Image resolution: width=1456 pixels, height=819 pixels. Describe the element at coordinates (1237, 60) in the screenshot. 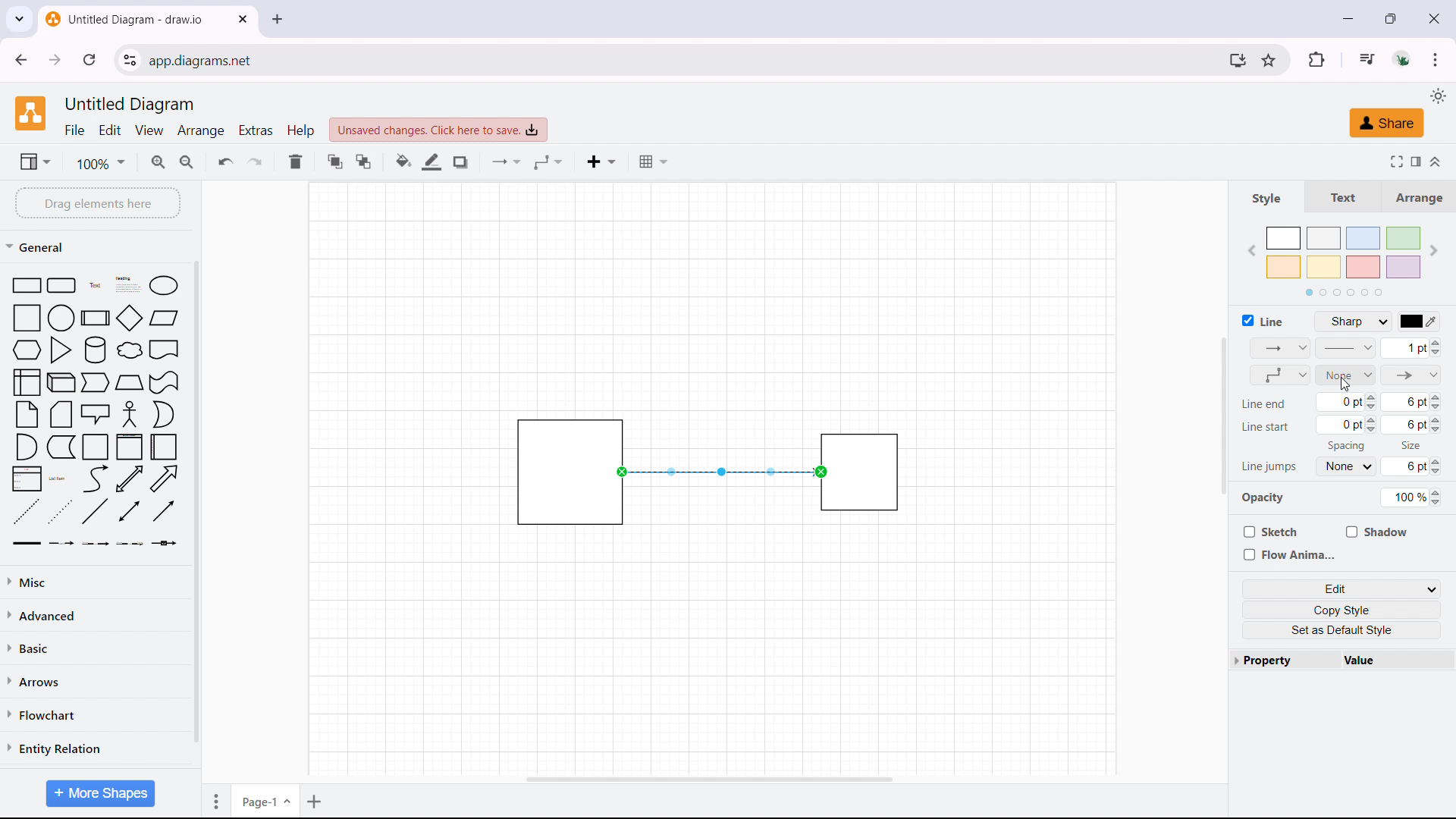

I see `install` at that location.